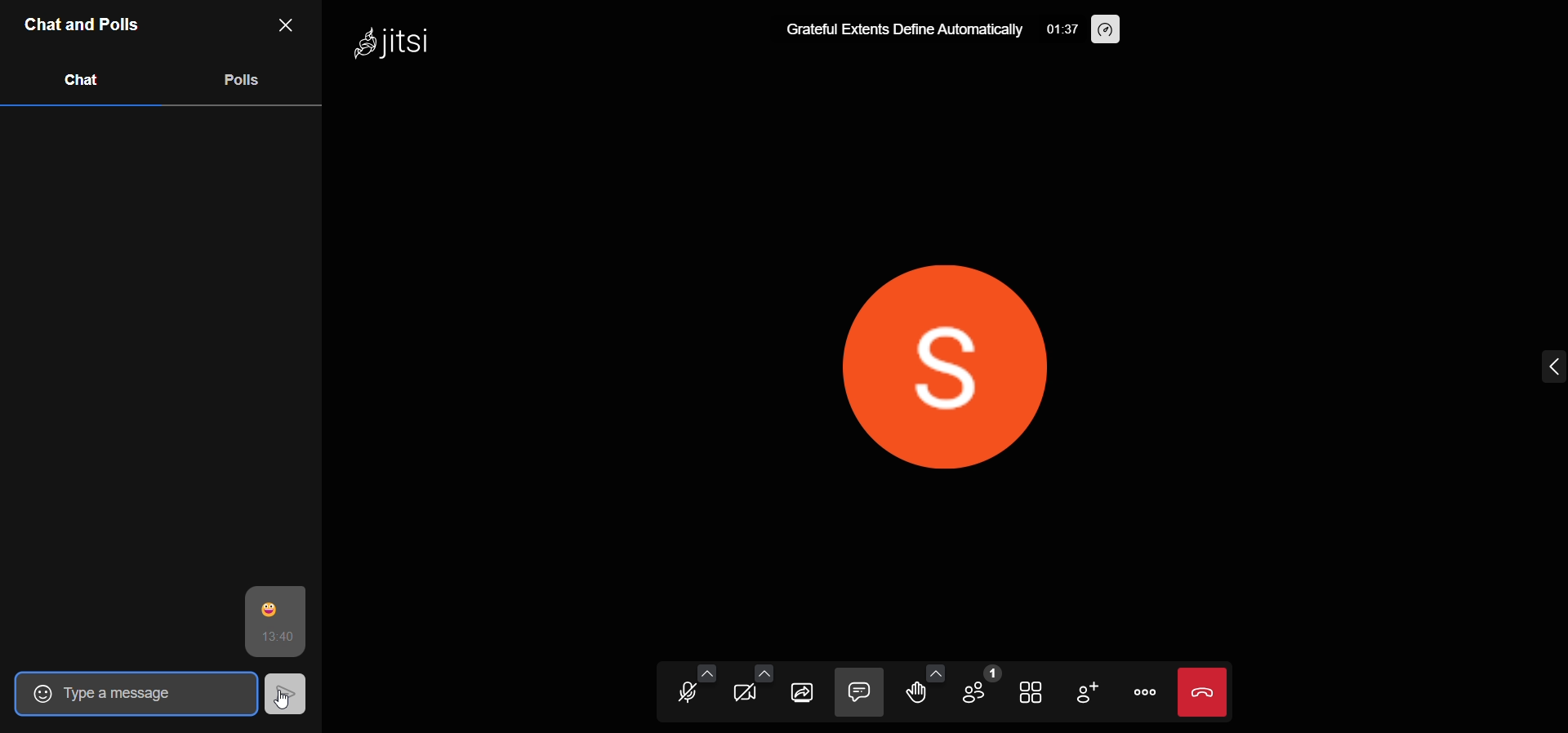  What do you see at coordinates (84, 25) in the screenshot?
I see `chats and pols` at bounding box center [84, 25].